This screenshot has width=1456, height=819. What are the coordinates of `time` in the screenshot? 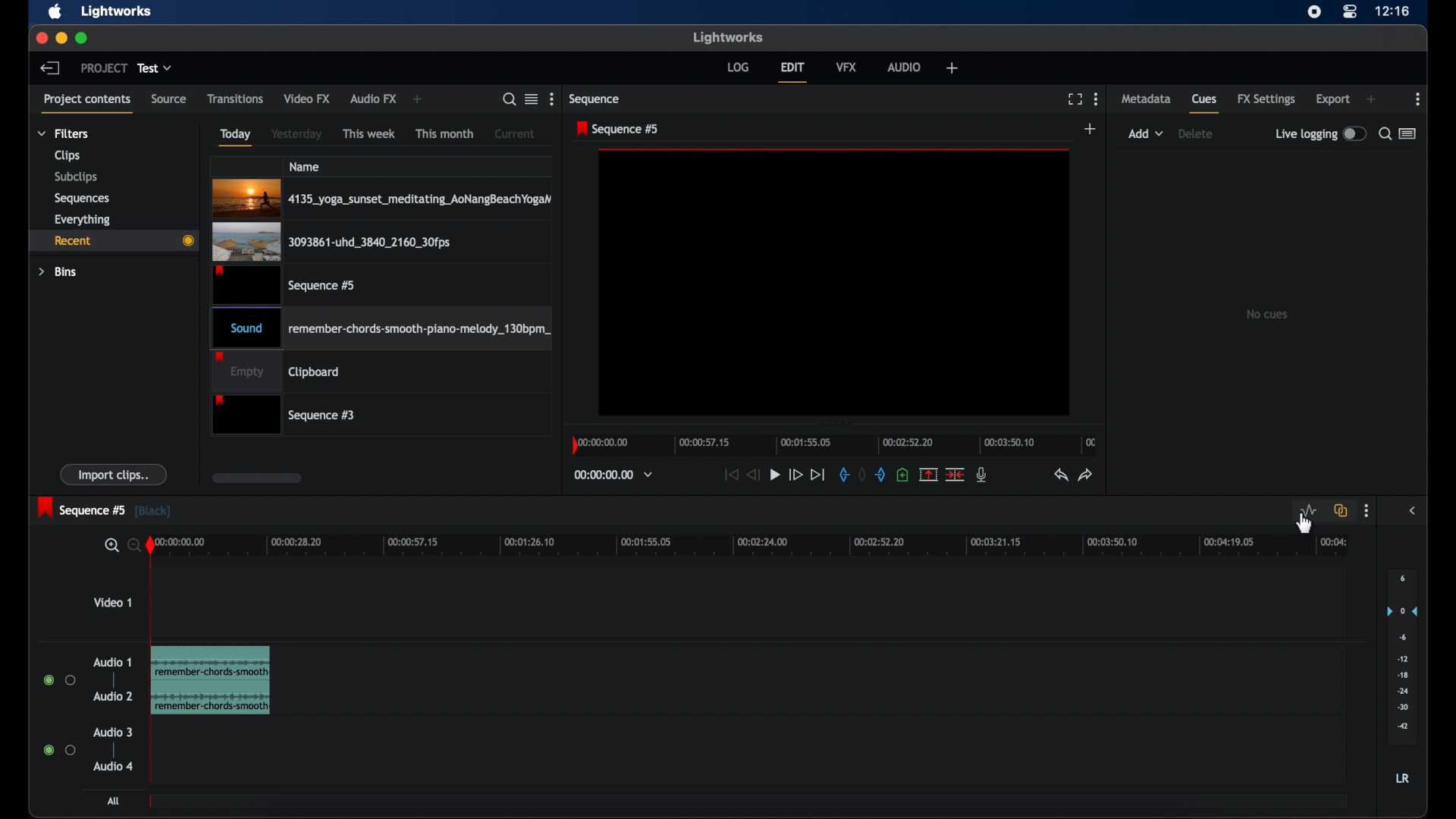 It's located at (1392, 12).